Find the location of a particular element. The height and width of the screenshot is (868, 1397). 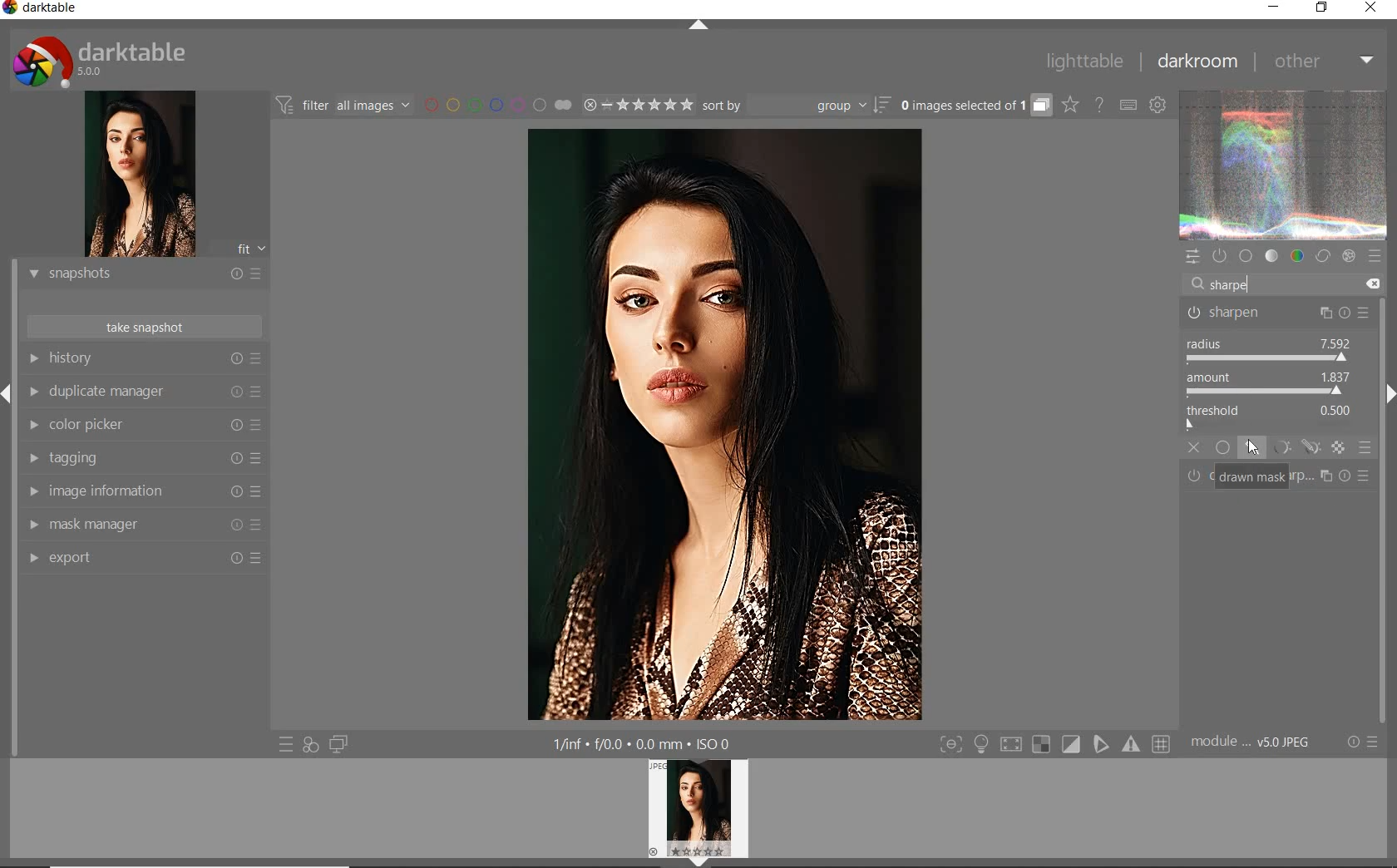

 is located at coordinates (1362, 476).